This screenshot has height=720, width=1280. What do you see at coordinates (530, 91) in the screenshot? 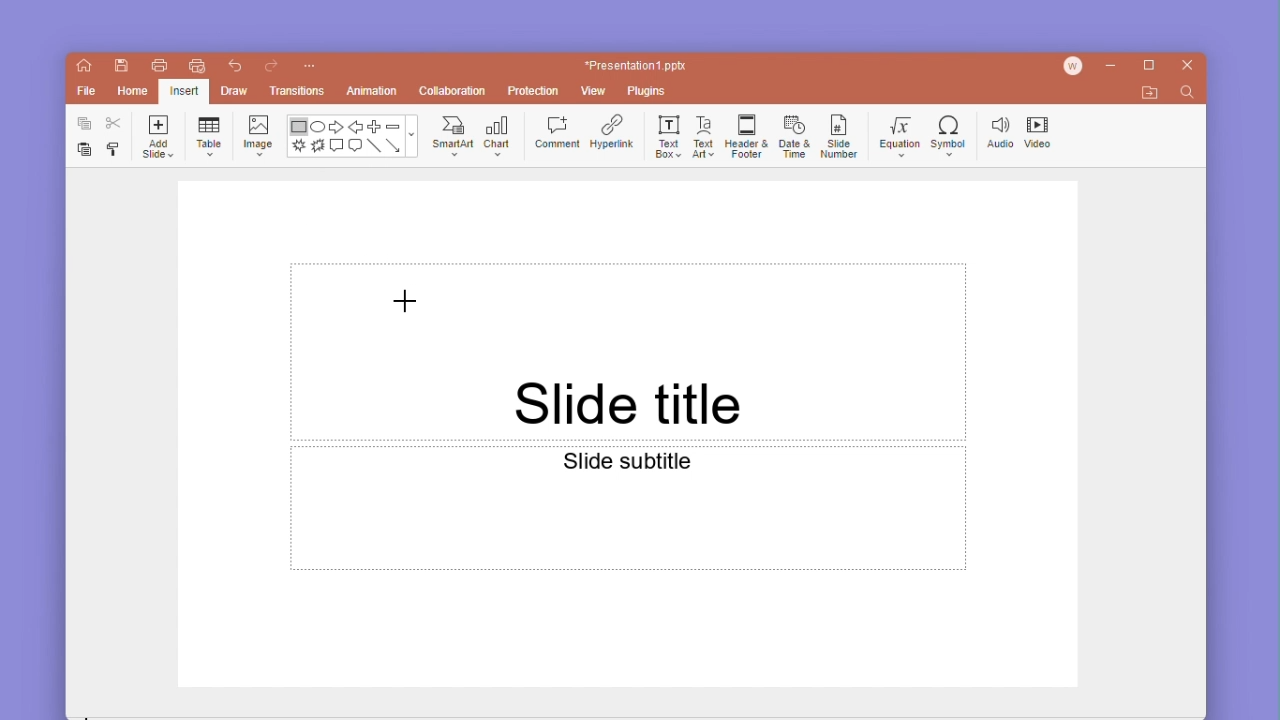
I see `protection` at bounding box center [530, 91].